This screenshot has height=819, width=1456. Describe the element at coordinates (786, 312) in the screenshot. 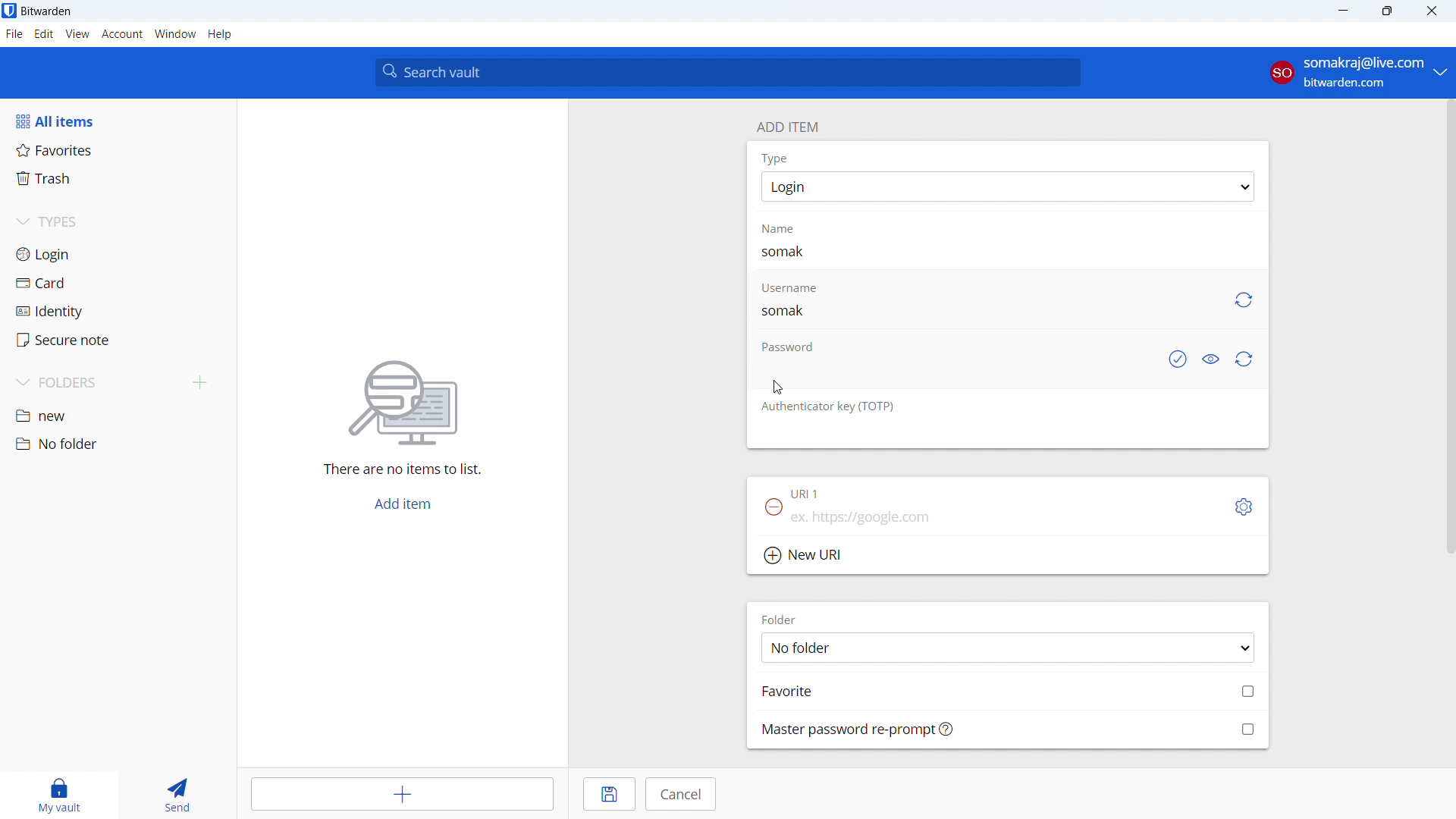

I see `username added` at that location.